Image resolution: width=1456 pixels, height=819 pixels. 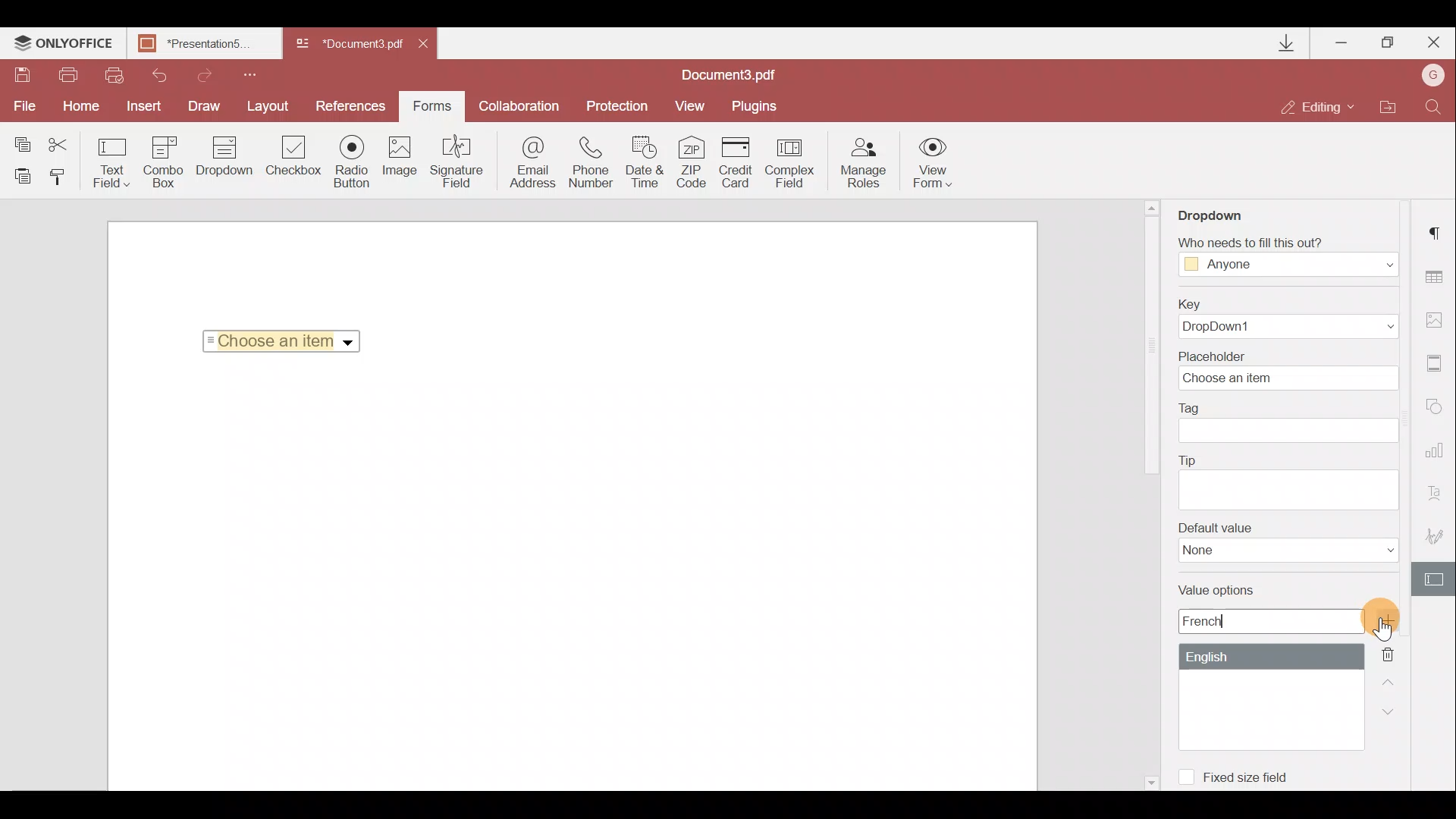 I want to click on Close, so click(x=428, y=41).